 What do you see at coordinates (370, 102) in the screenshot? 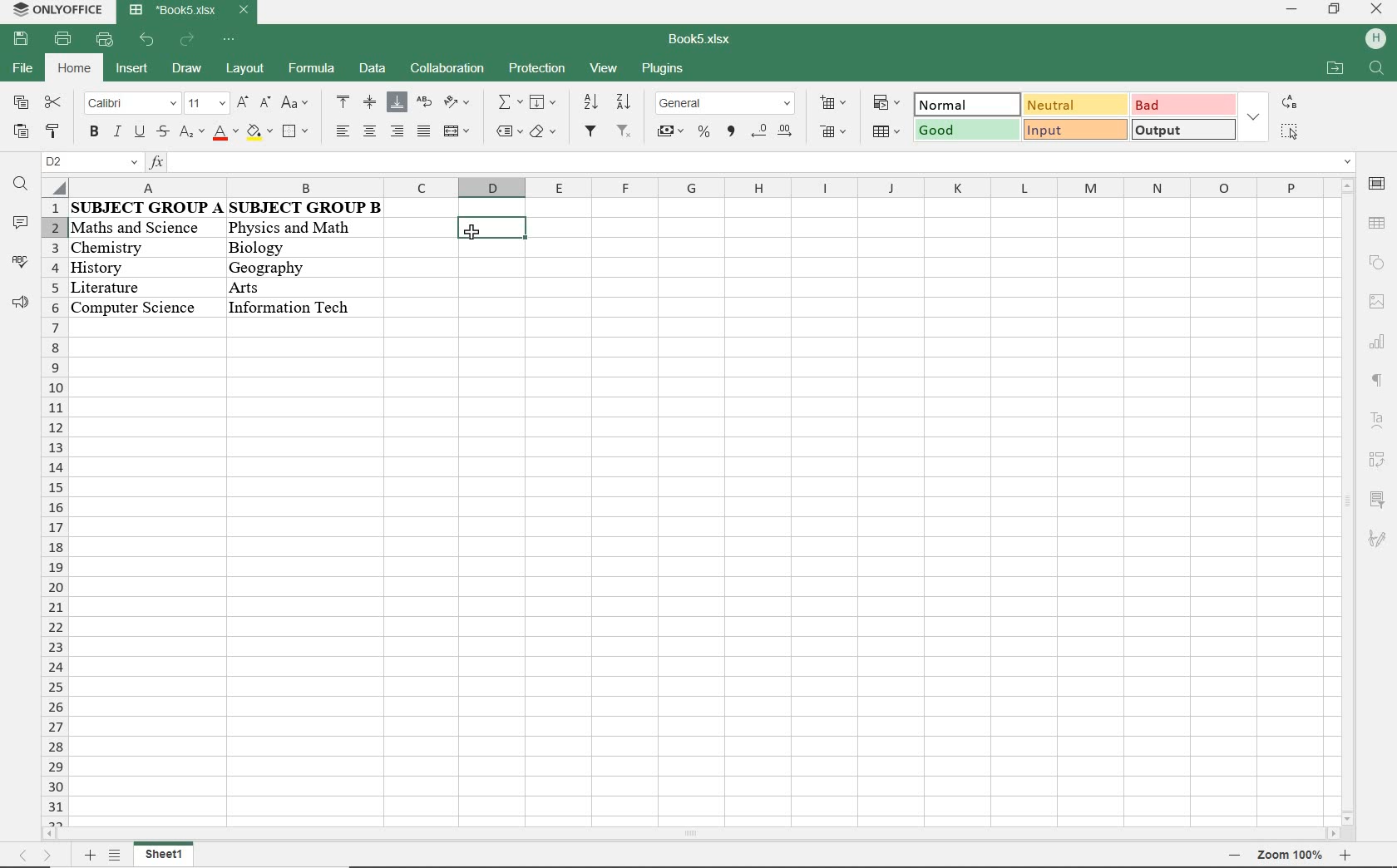
I see `align middle` at bounding box center [370, 102].